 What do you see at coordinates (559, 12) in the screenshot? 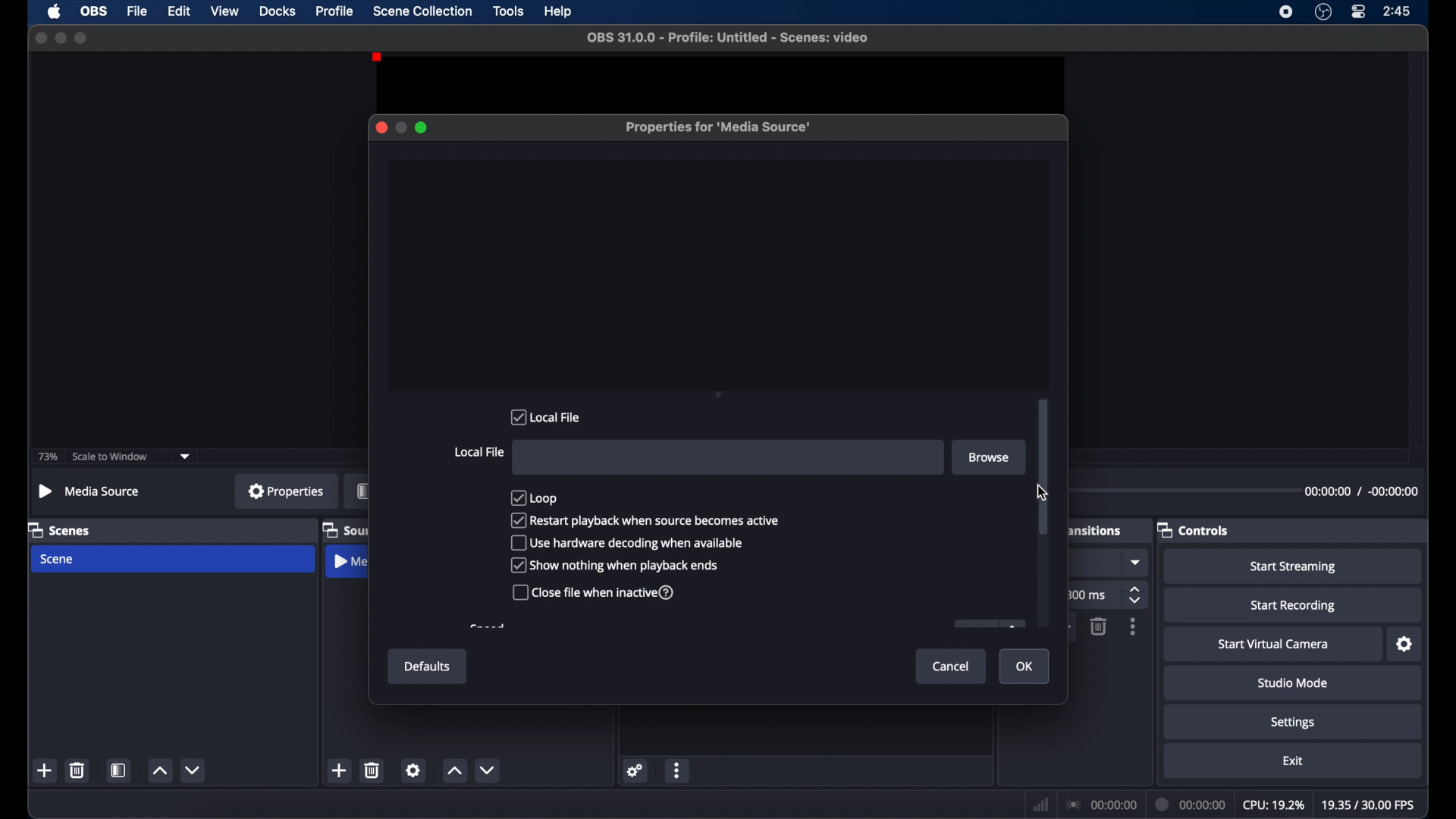
I see `help` at bounding box center [559, 12].